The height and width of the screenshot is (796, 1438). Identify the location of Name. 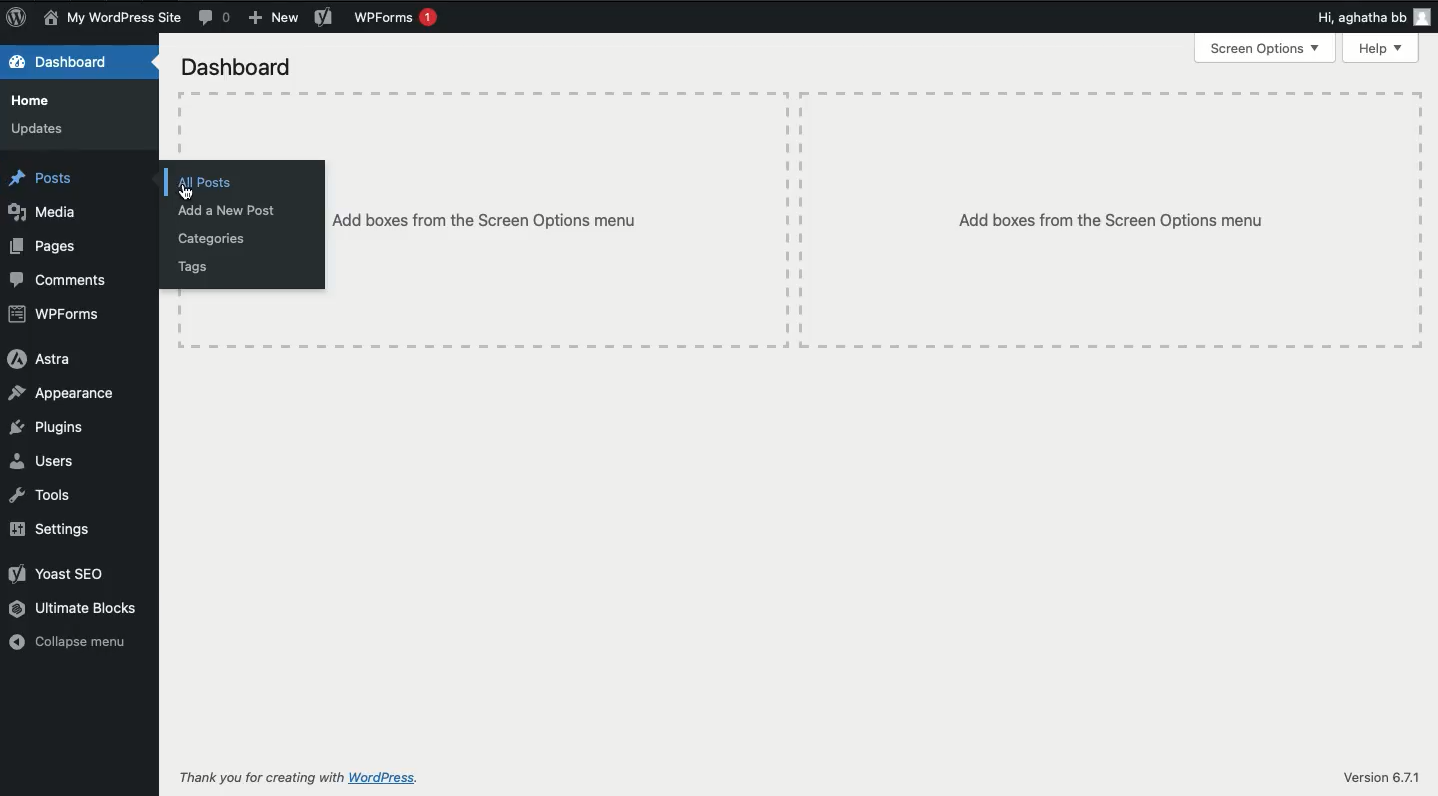
(116, 18).